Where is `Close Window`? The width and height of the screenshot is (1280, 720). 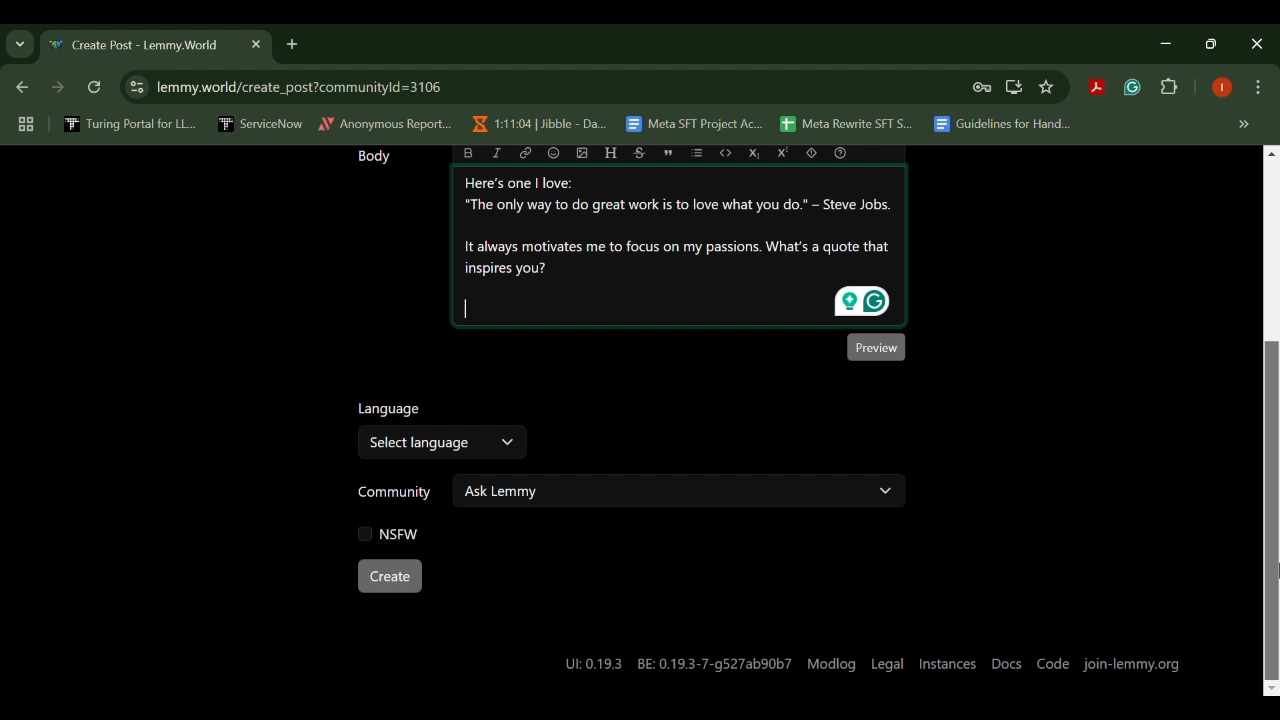 Close Window is located at coordinates (1258, 44).